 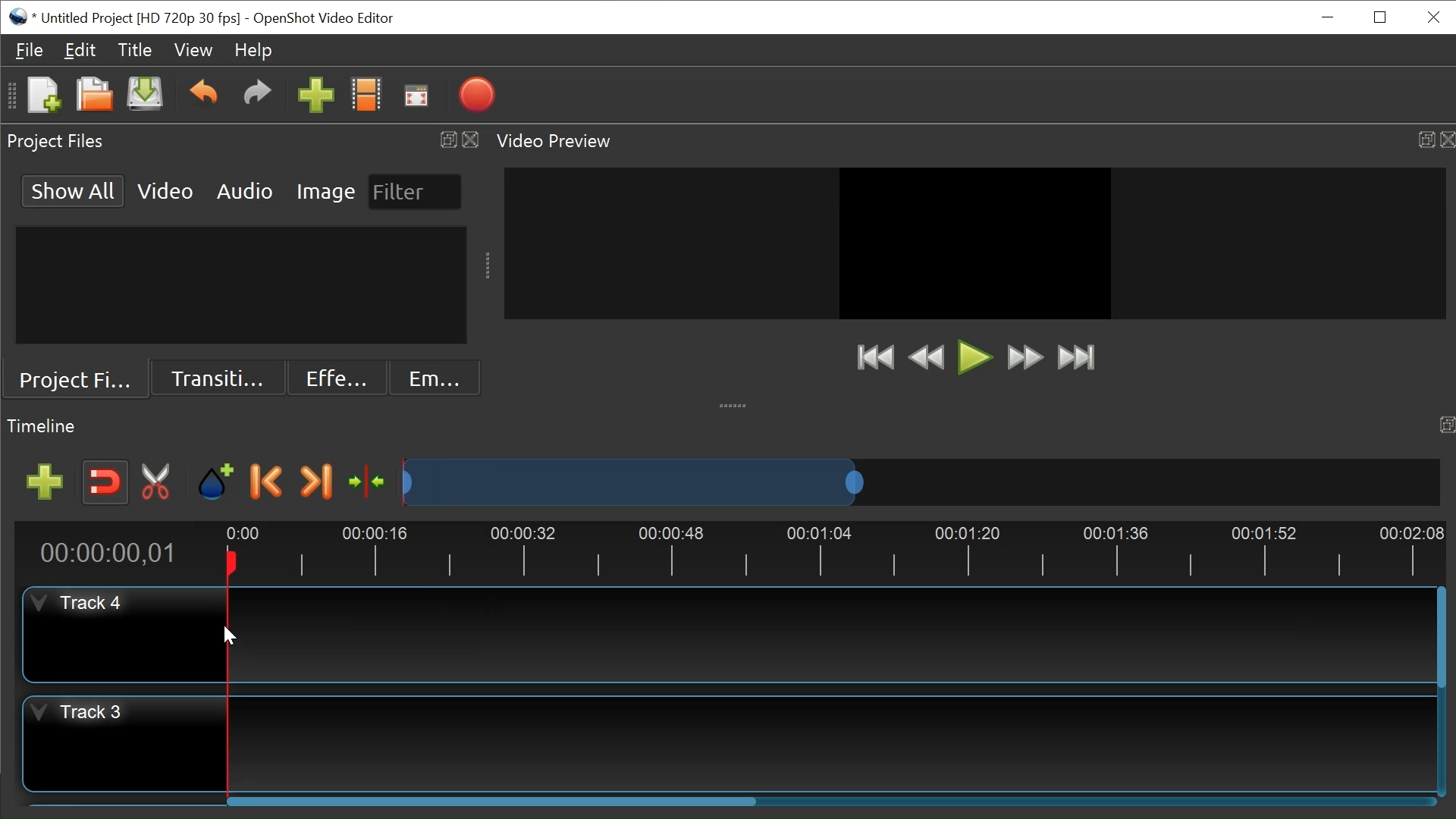 I want to click on Audio, so click(x=243, y=190).